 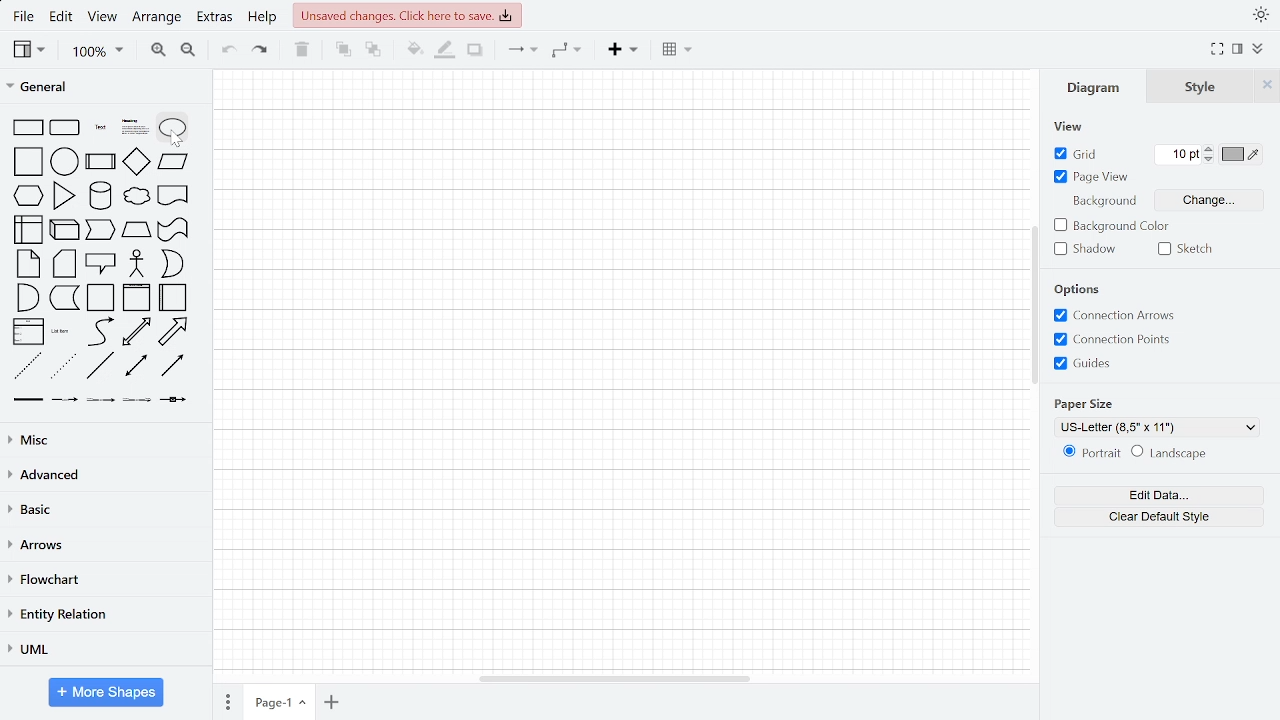 What do you see at coordinates (374, 50) in the screenshot?
I see `to back` at bounding box center [374, 50].